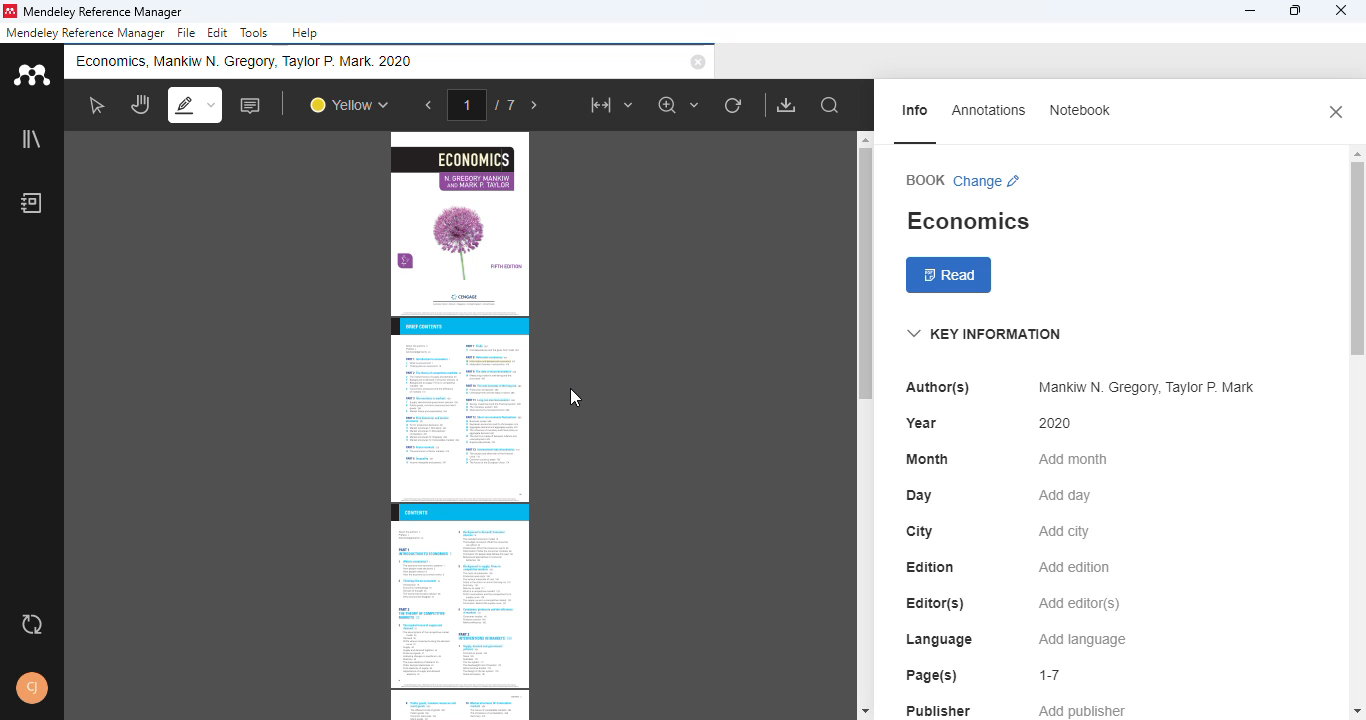 The image size is (1366, 720). Describe the element at coordinates (1342, 11) in the screenshot. I see `close` at that location.